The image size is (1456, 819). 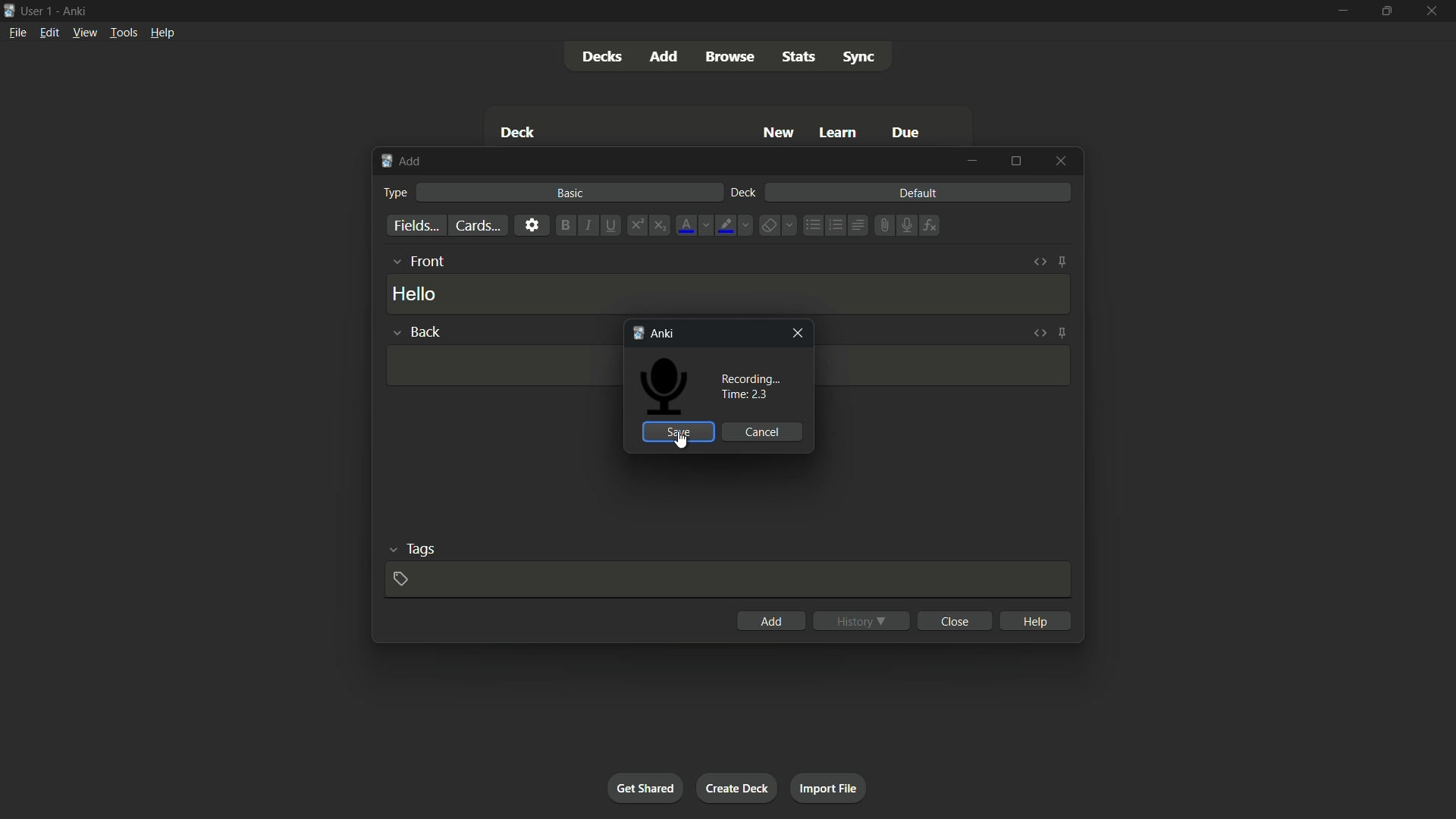 What do you see at coordinates (18, 33) in the screenshot?
I see `file menu` at bounding box center [18, 33].